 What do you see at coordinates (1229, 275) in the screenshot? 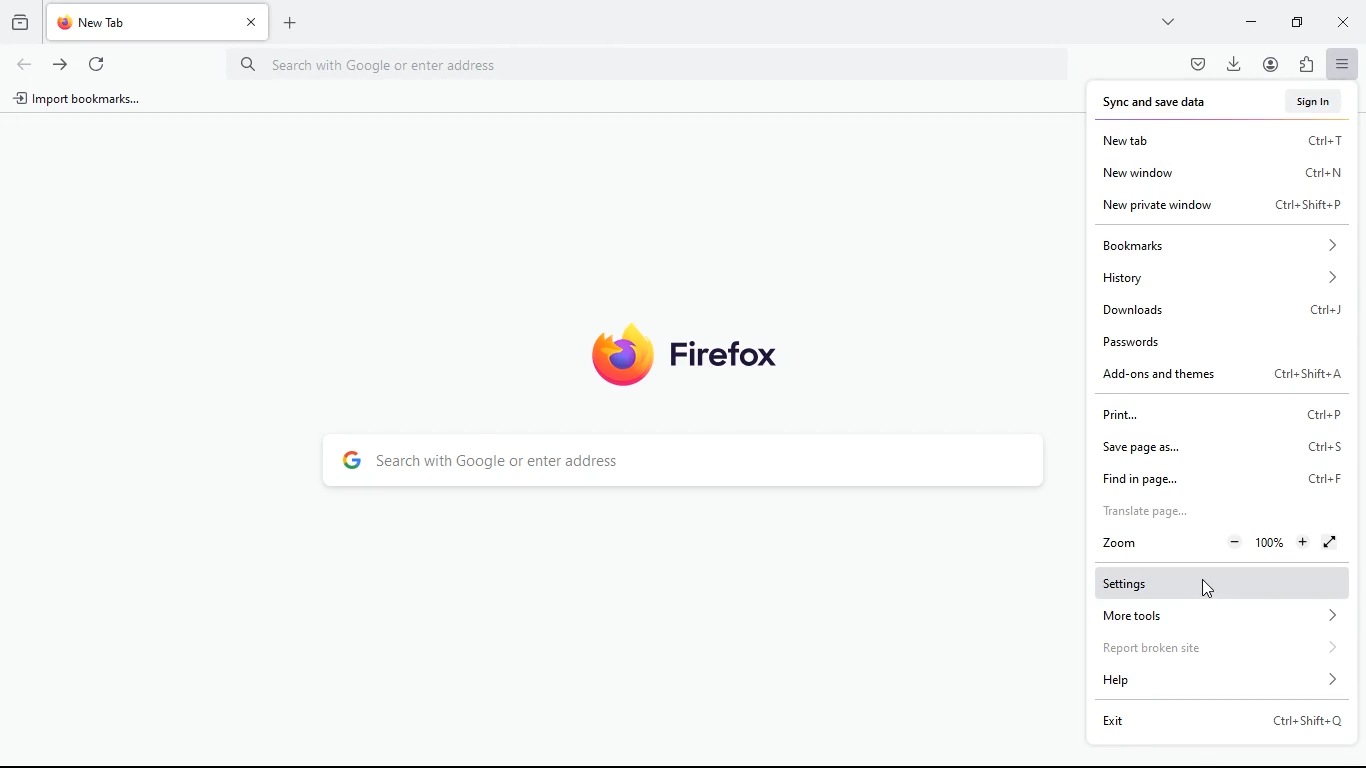
I see `history` at bounding box center [1229, 275].